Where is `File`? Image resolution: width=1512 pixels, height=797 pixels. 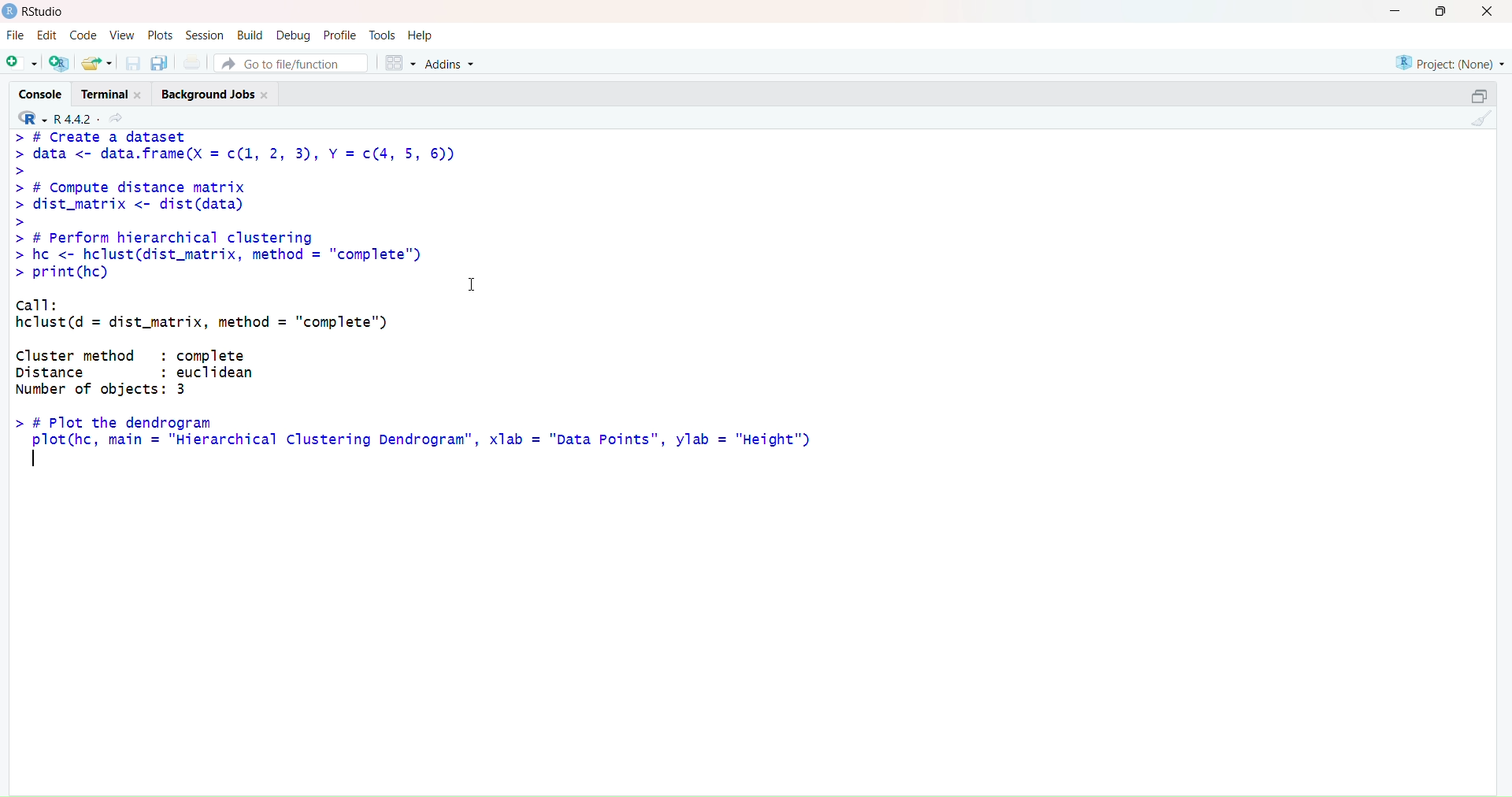 File is located at coordinates (13, 34).